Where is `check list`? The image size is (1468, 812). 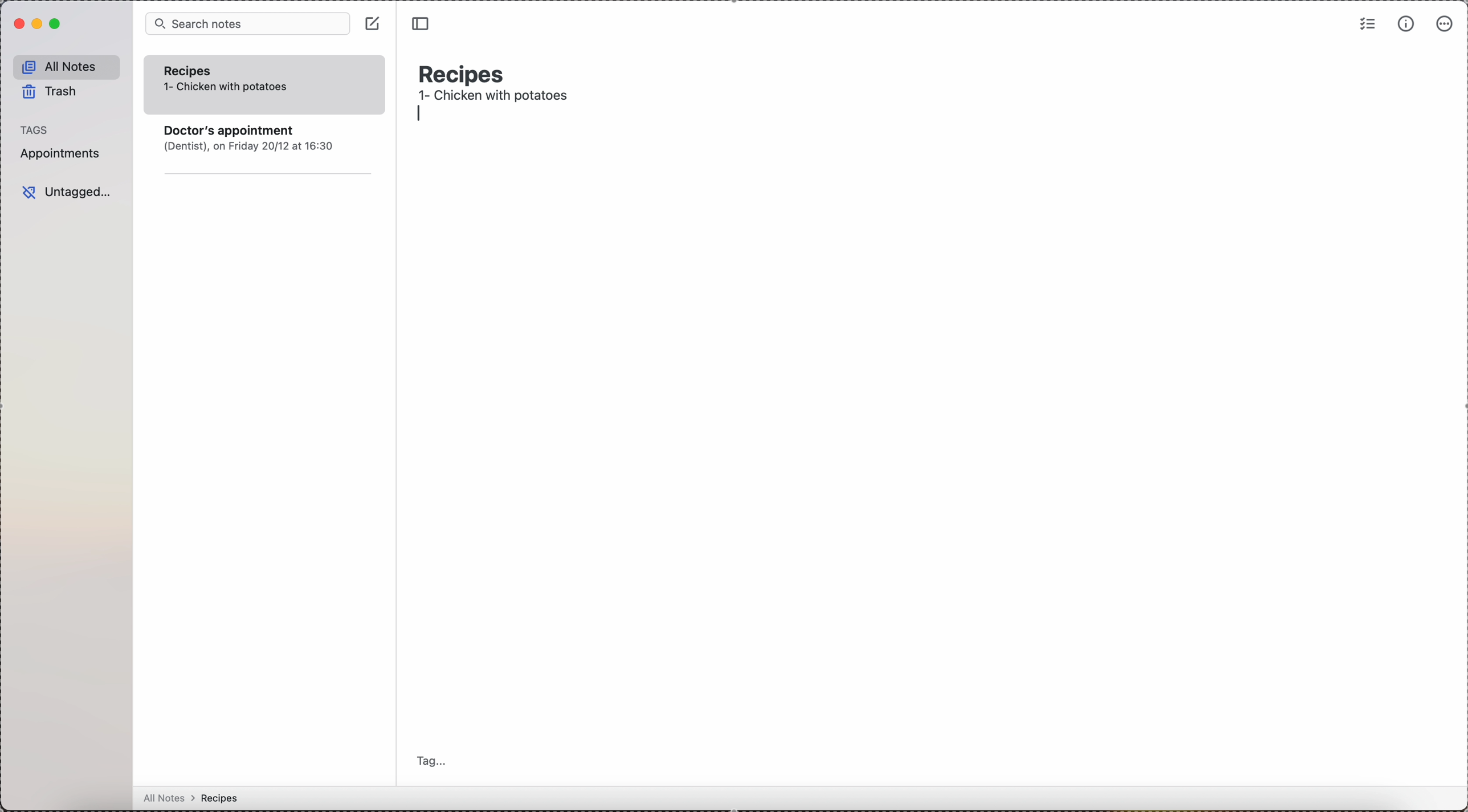 check list is located at coordinates (1366, 25).